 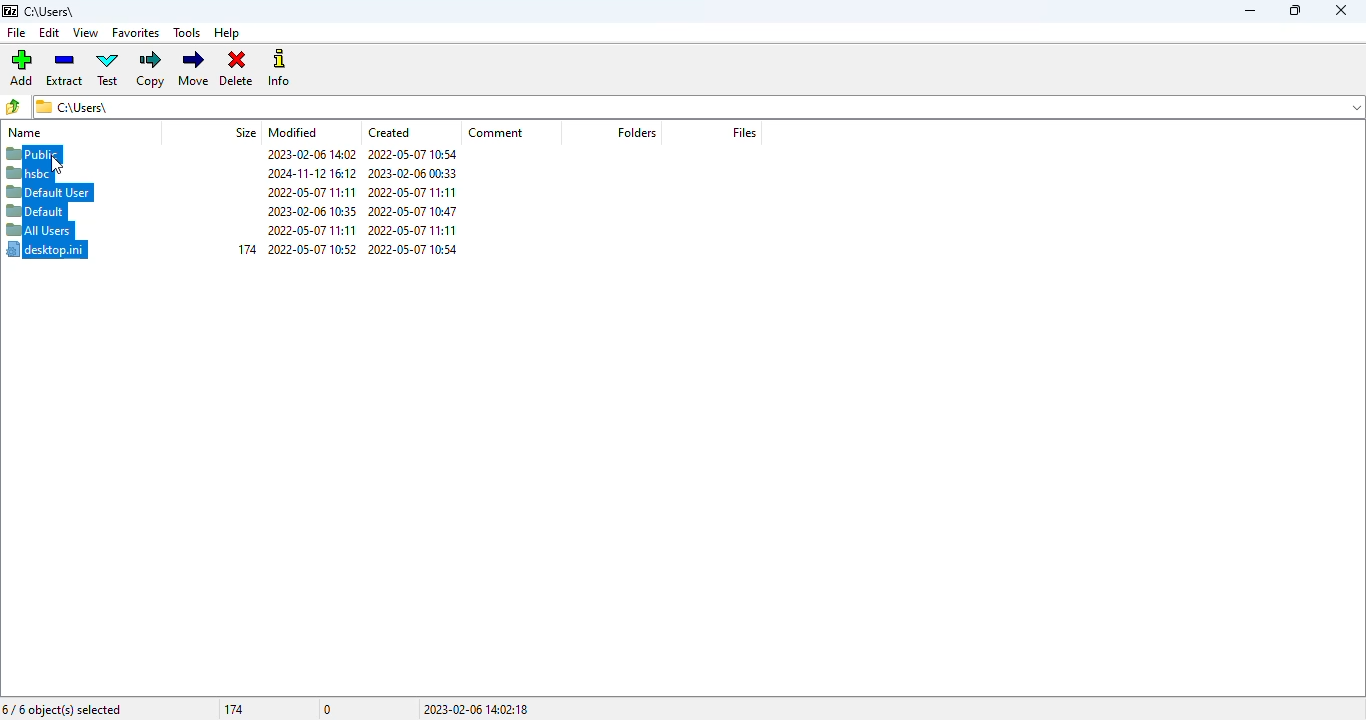 What do you see at coordinates (11, 106) in the screenshot?
I see `browse folders` at bounding box center [11, 106].